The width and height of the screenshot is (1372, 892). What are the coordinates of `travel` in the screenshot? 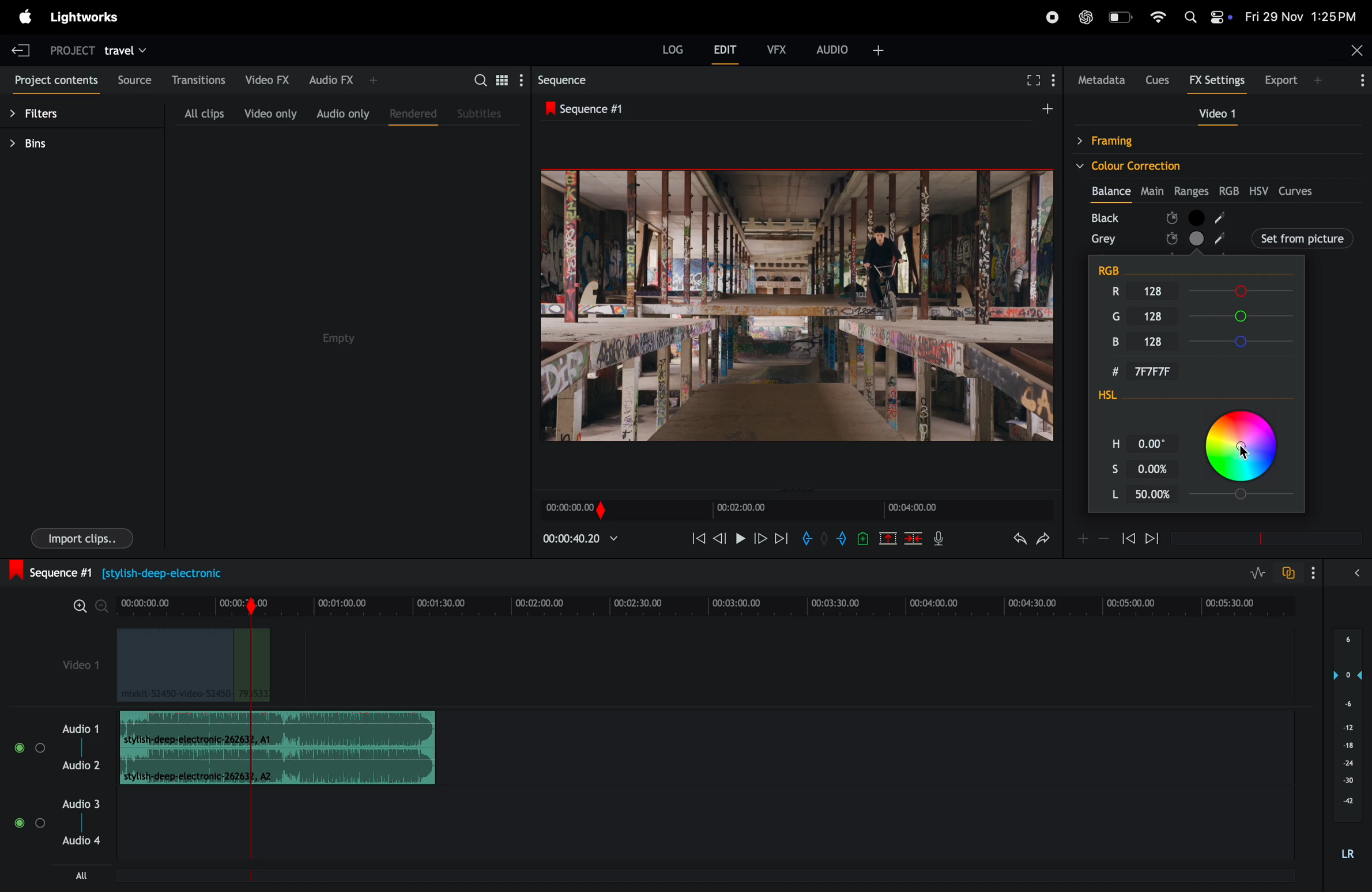 It's located at (128, 50).